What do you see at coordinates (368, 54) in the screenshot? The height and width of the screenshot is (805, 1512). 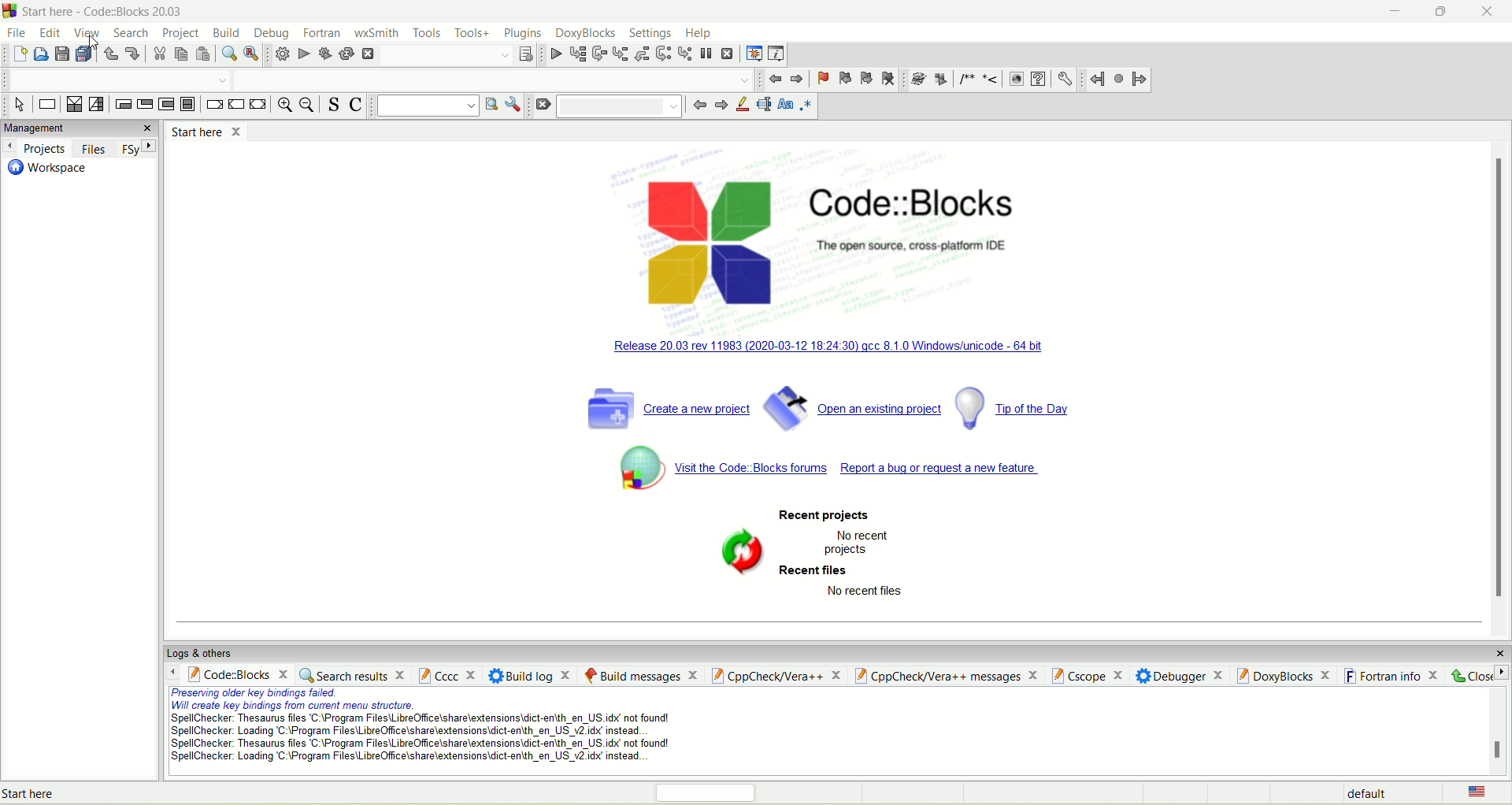 I see `abort` at bounding box center [368, 54].